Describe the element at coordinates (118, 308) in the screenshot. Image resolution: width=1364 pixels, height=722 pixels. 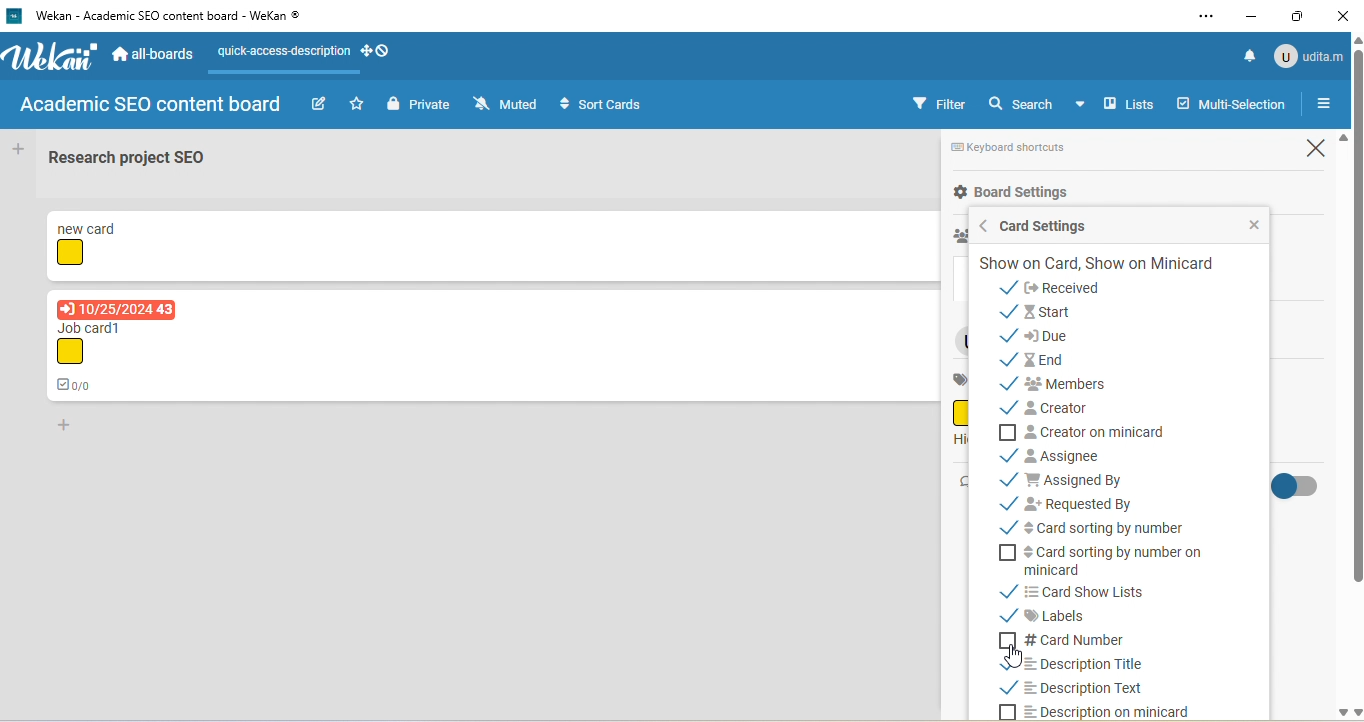
I see `due date` at that location.